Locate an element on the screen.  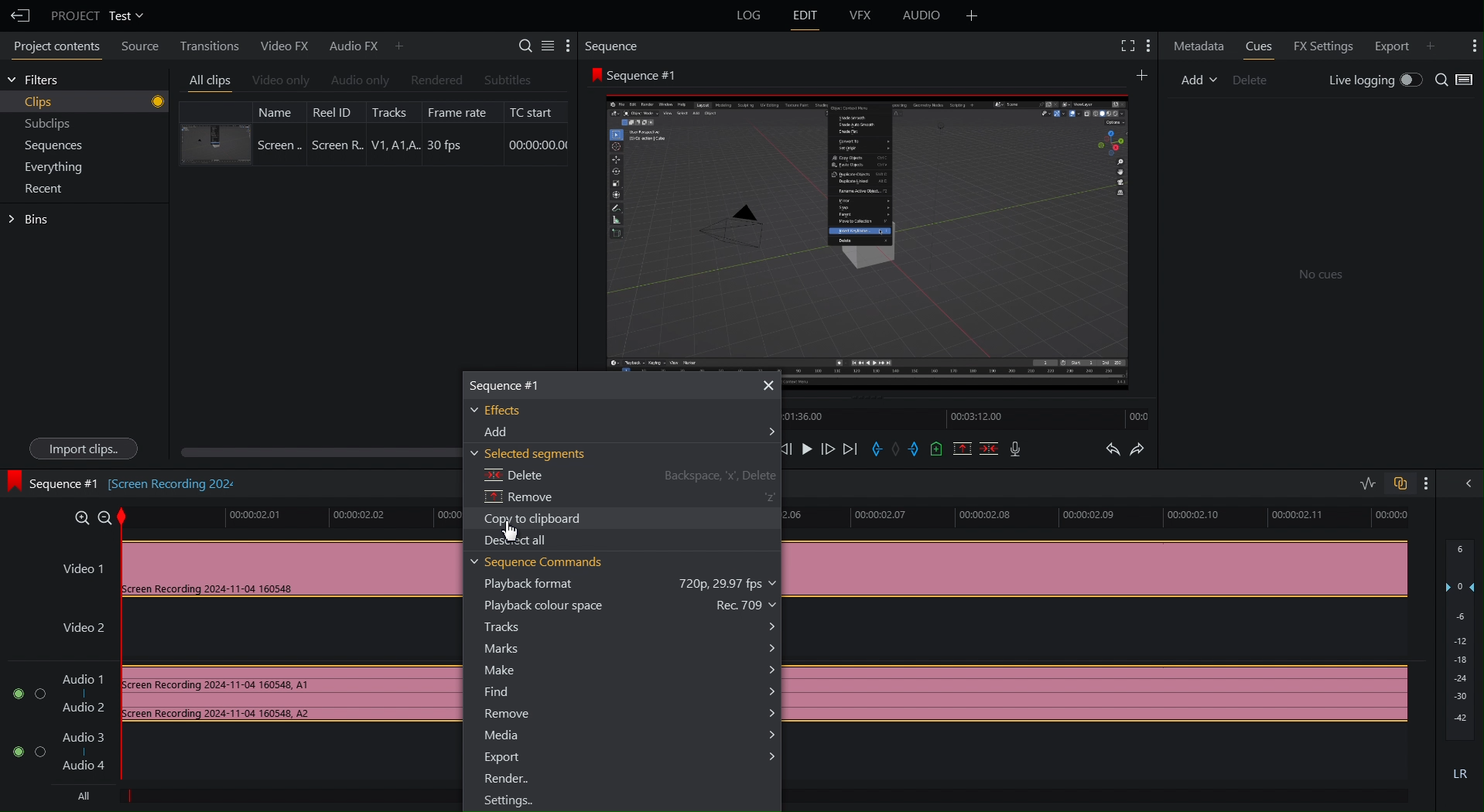
Video FX is located at coordinates (284, 45).